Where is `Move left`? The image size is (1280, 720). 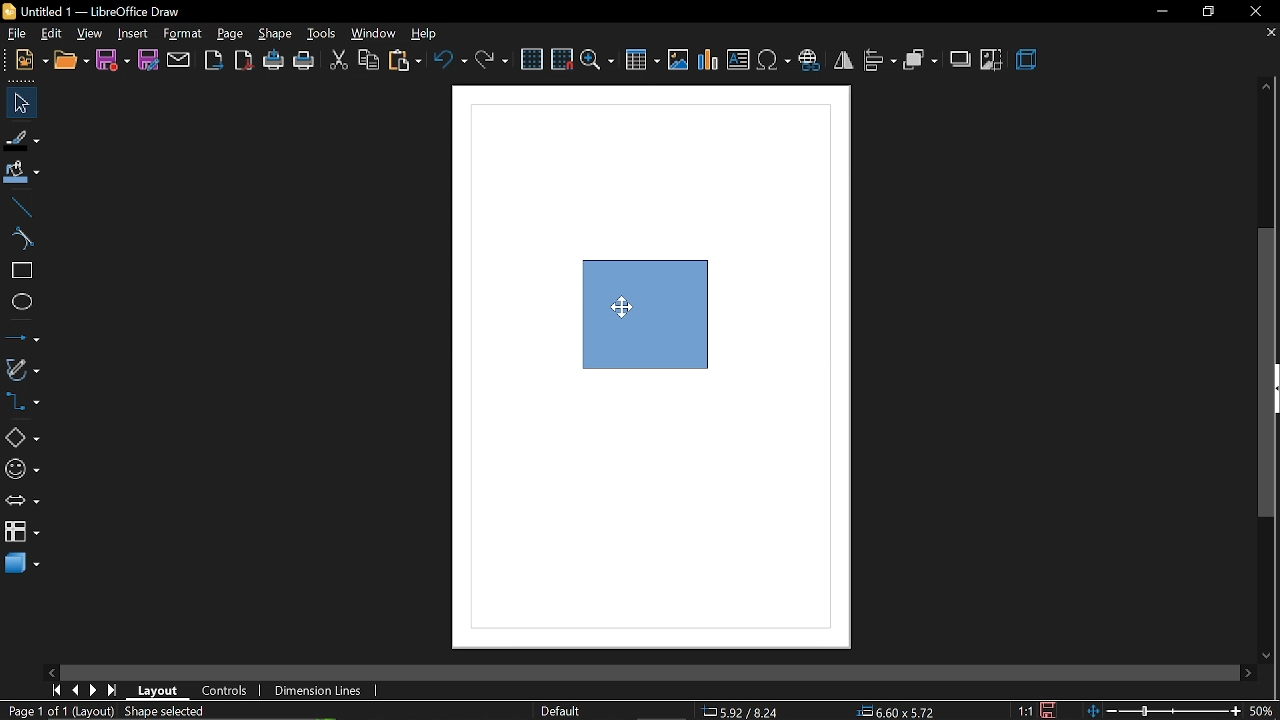 Move left is located at coordinates (54, 670).